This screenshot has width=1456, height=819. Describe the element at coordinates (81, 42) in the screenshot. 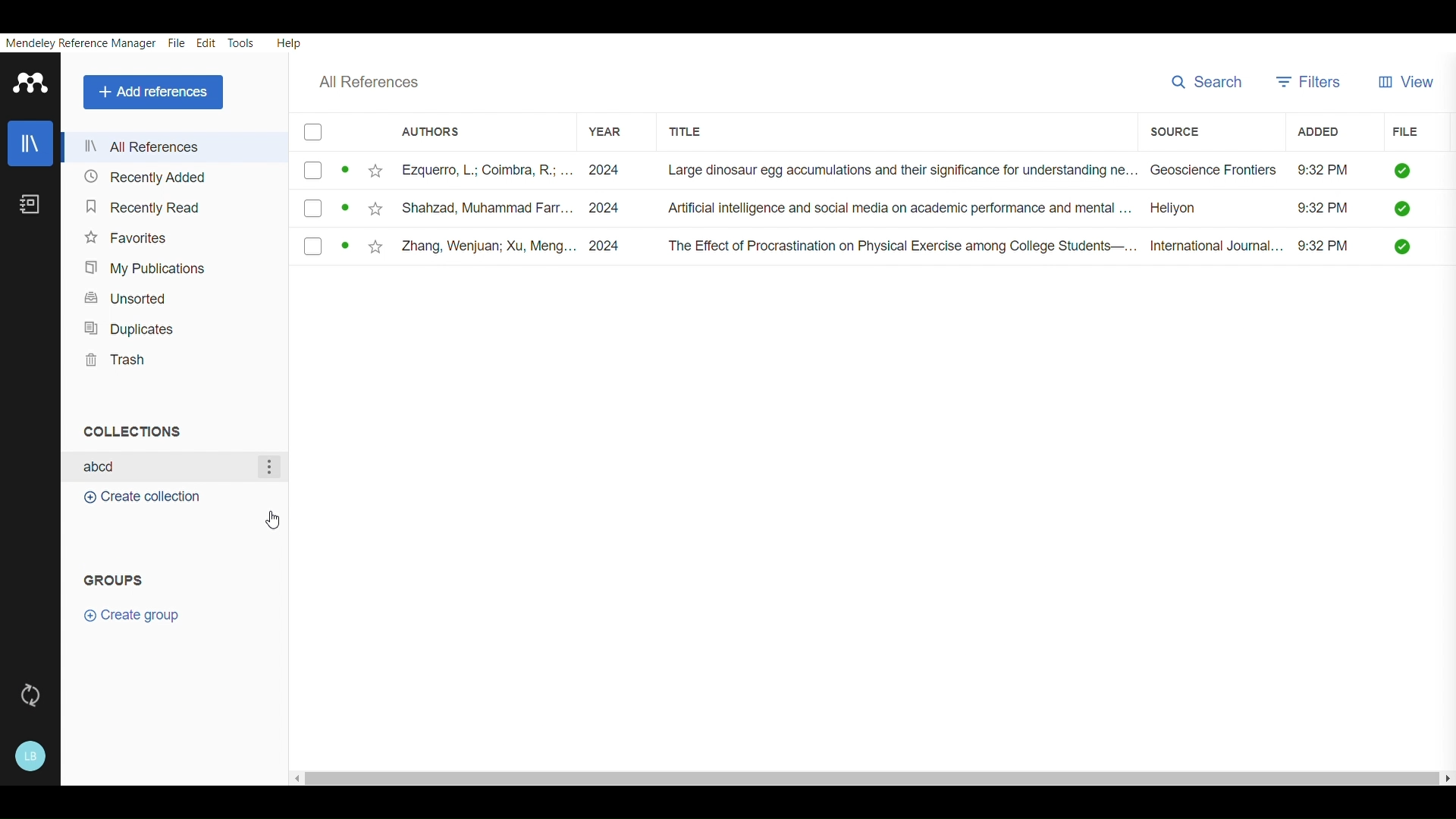

I see `Mendeley Reference Manager` at that location.